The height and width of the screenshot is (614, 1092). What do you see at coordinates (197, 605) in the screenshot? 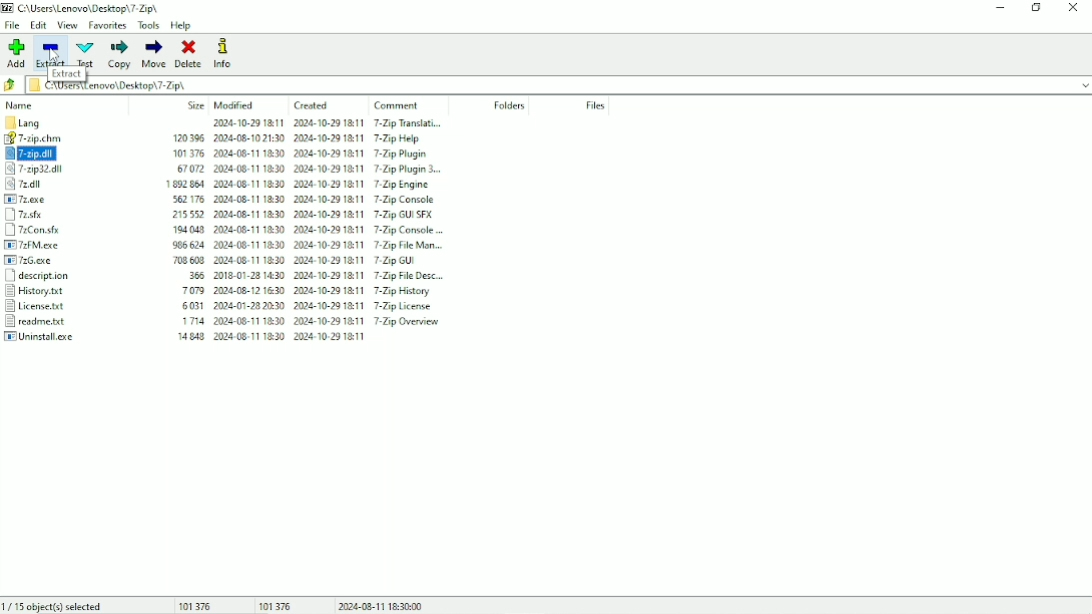
I see `101 376` at bounding box center [197, 605].